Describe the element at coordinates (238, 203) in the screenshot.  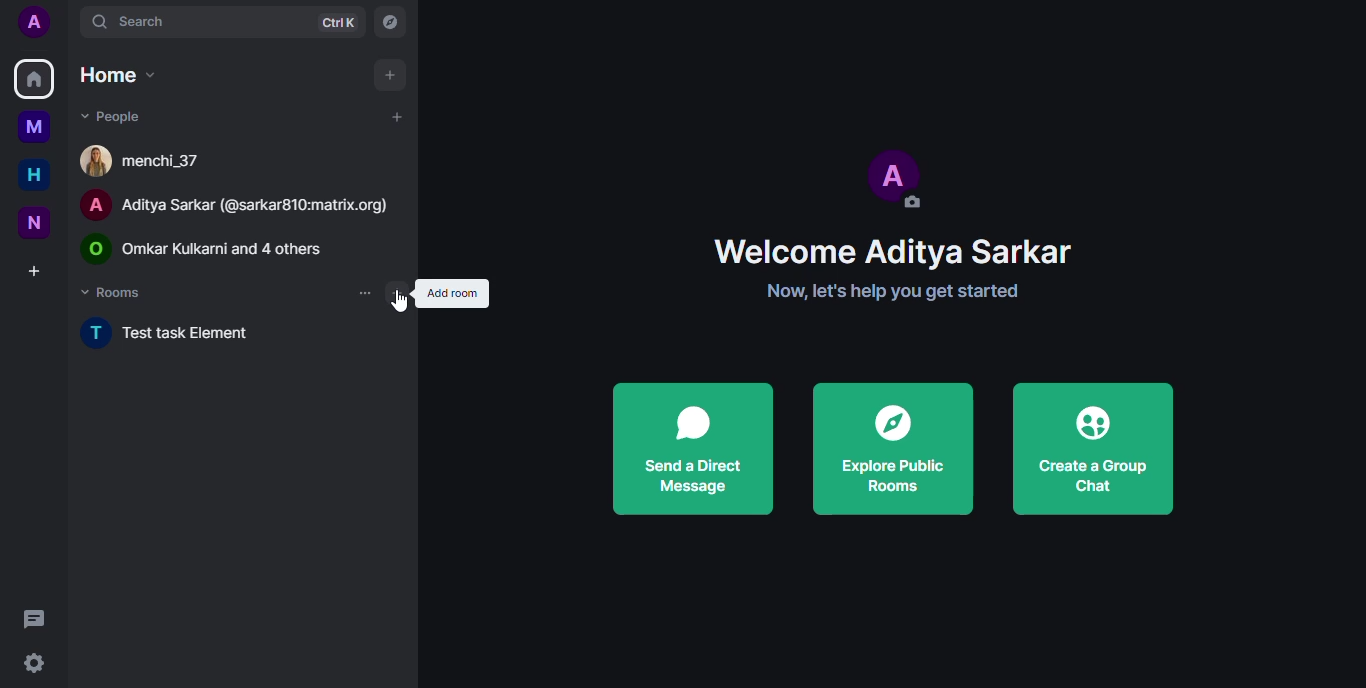
I see `A Aditya Sarkar (@sarkar810:matrix.org)` at that location.